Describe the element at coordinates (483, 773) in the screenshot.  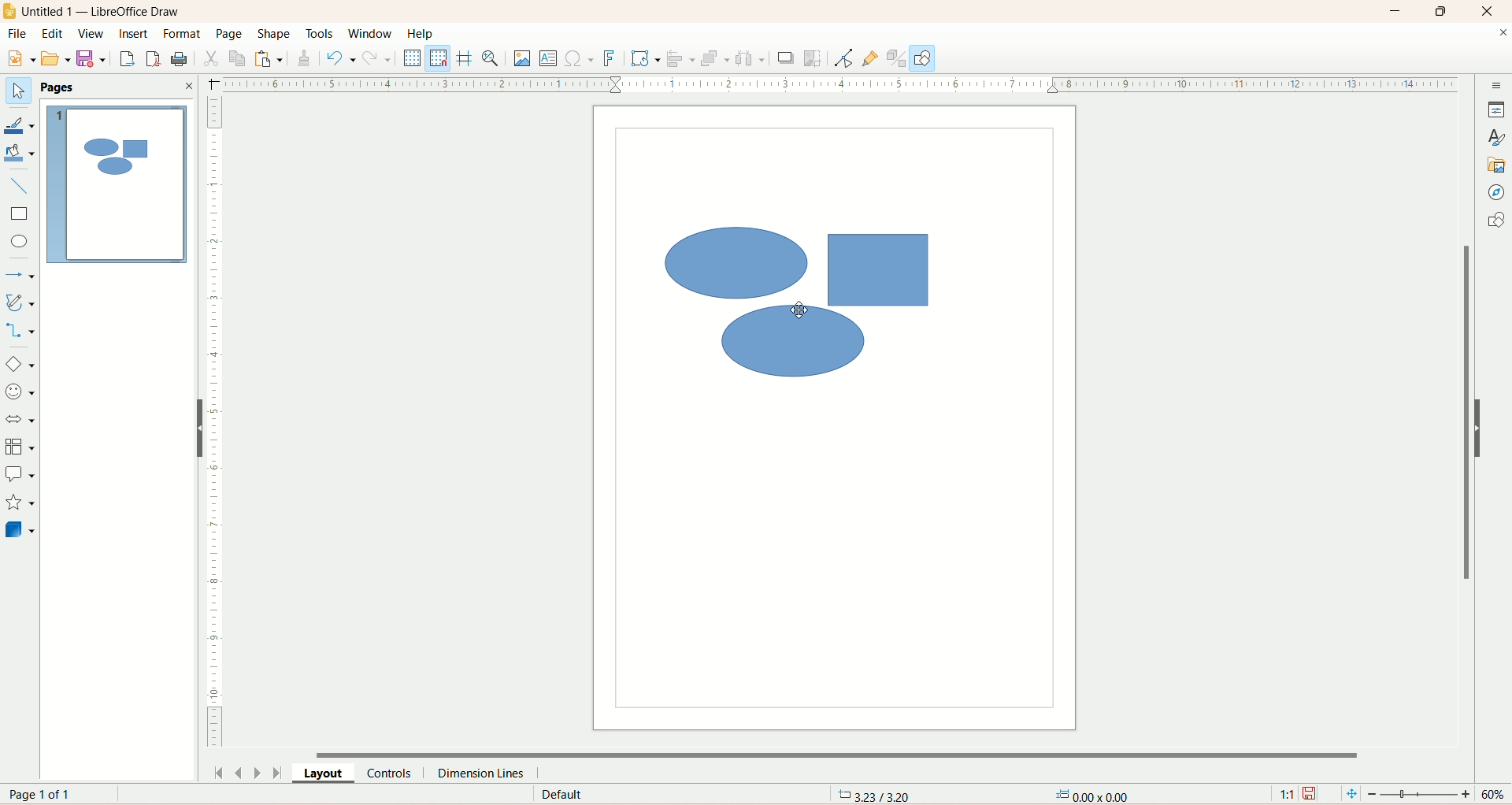
I see `dimension lines` at that location.